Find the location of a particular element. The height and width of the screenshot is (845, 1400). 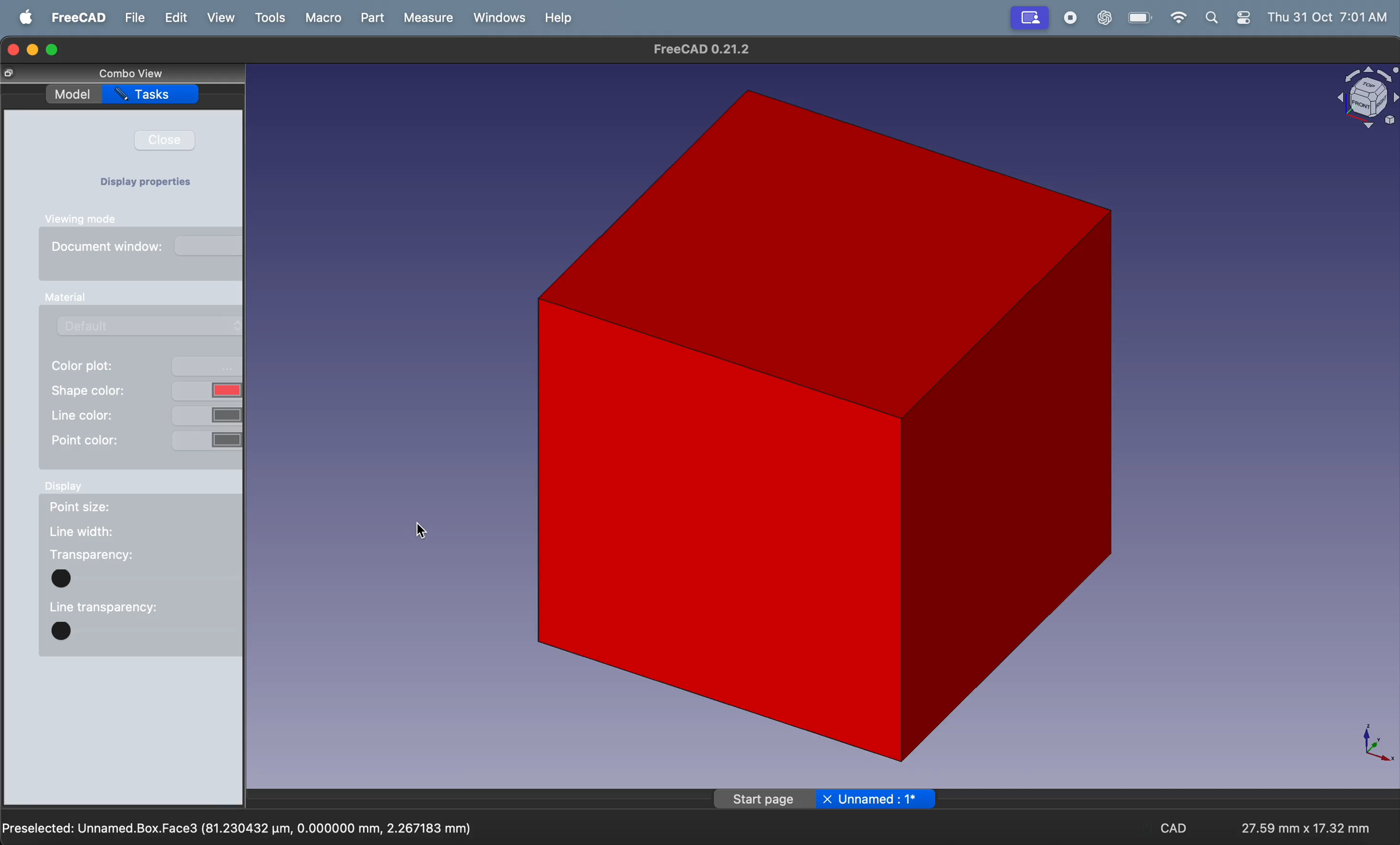

display is located at coordinates (66, 490).